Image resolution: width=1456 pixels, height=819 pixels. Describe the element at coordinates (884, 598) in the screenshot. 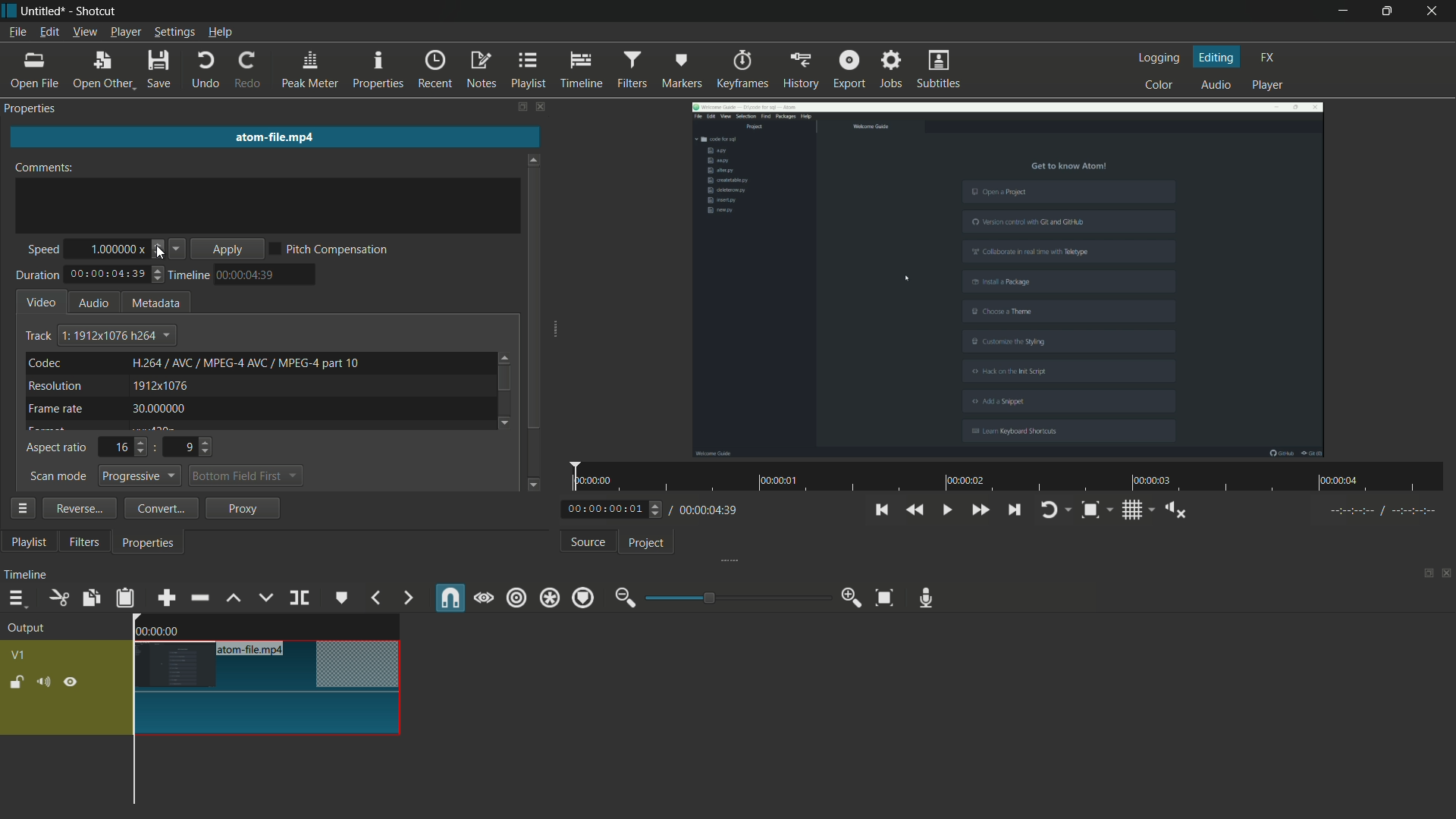

I see `zoom timeline to fit` at that location.